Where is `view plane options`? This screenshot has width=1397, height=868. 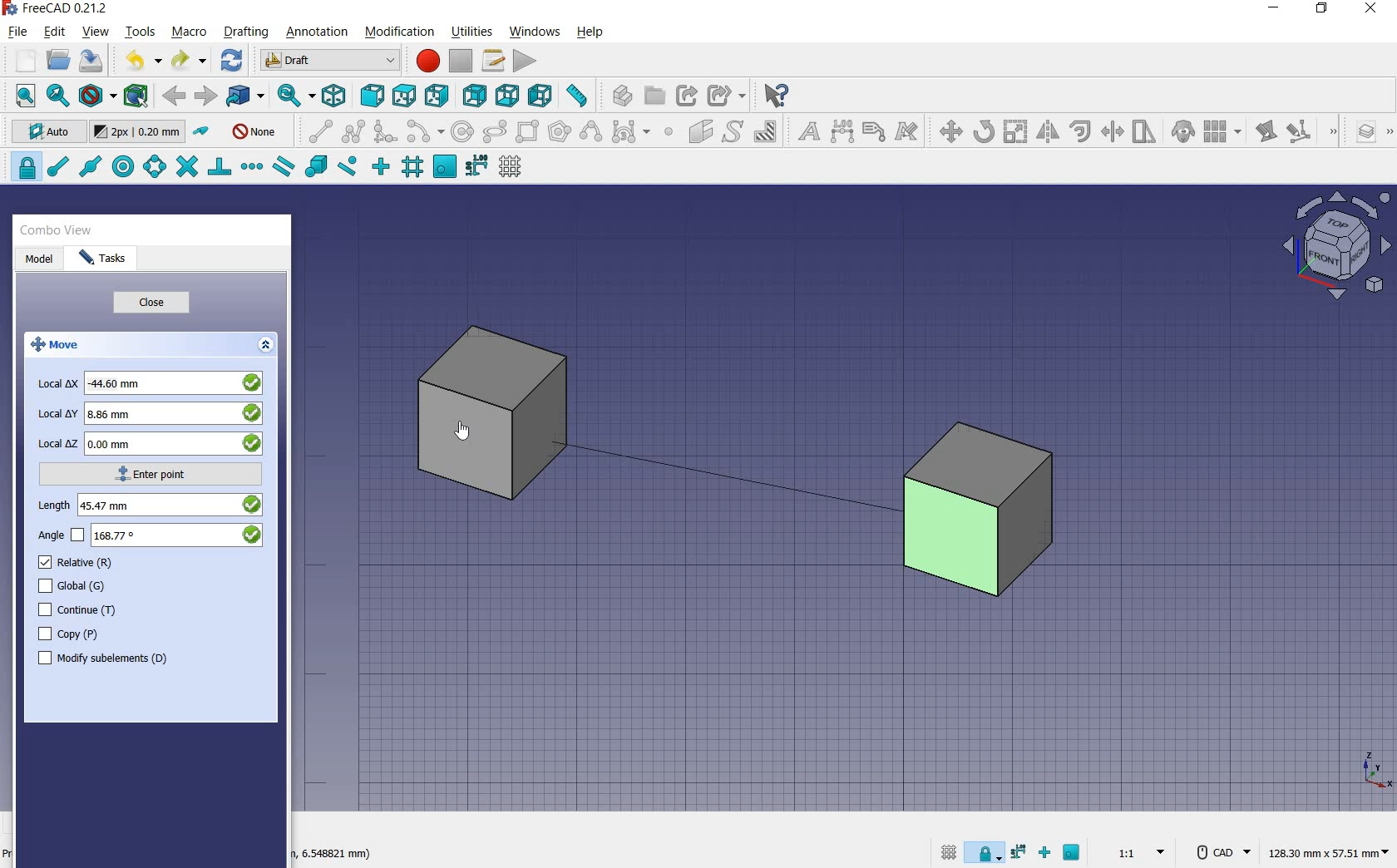
view plane options is located at coordinates (1335, 245).